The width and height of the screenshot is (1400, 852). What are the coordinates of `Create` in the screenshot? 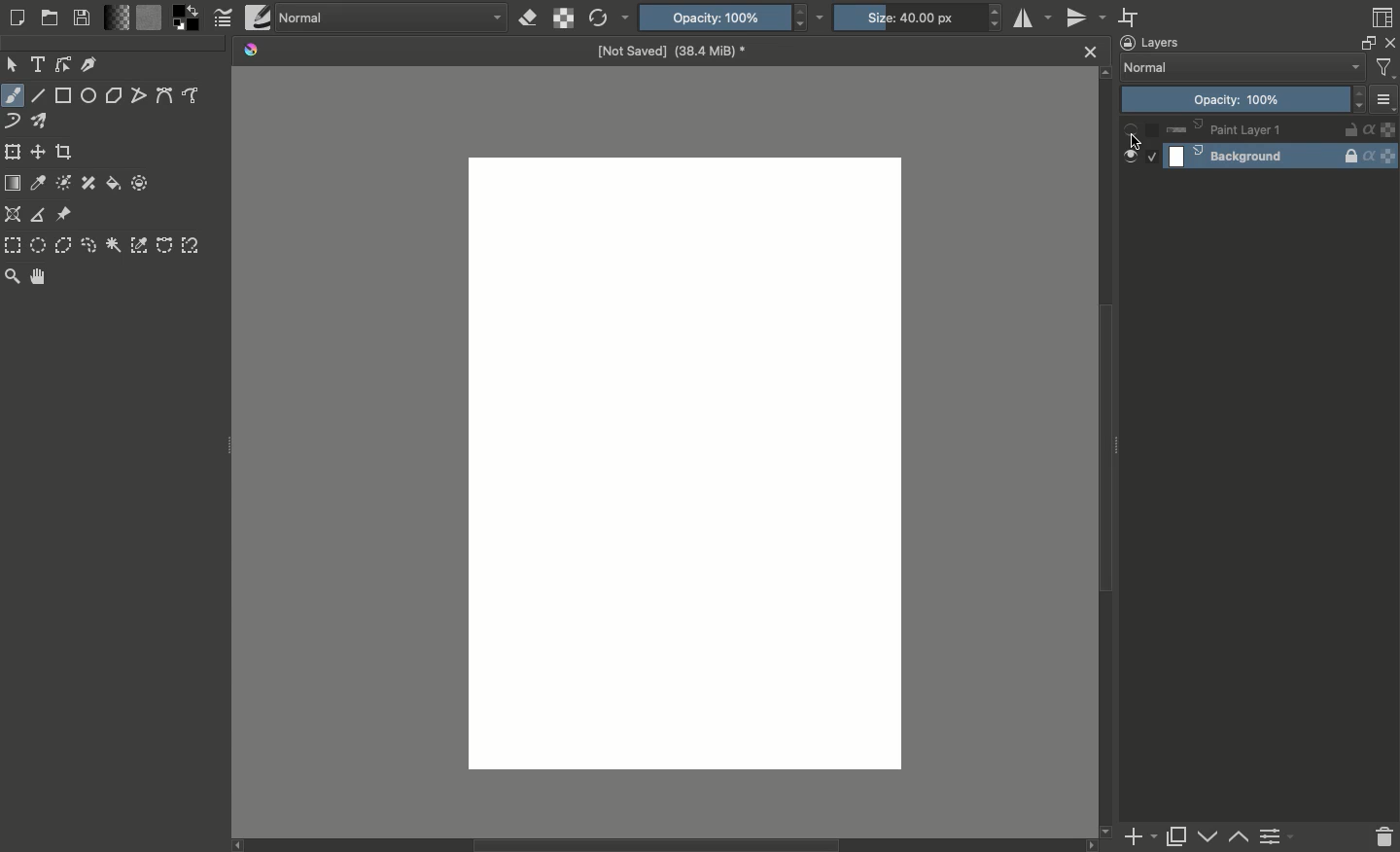 It's located at (17, 19).